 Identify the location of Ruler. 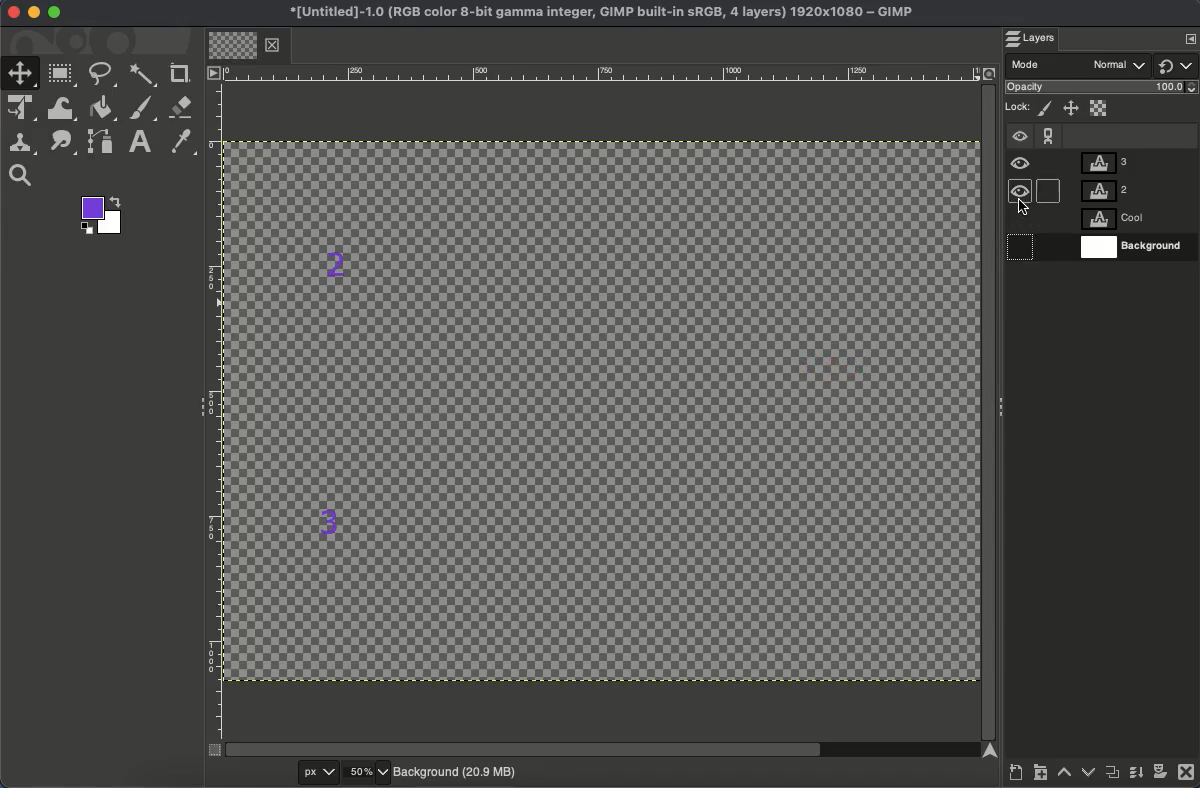
(214, 412).